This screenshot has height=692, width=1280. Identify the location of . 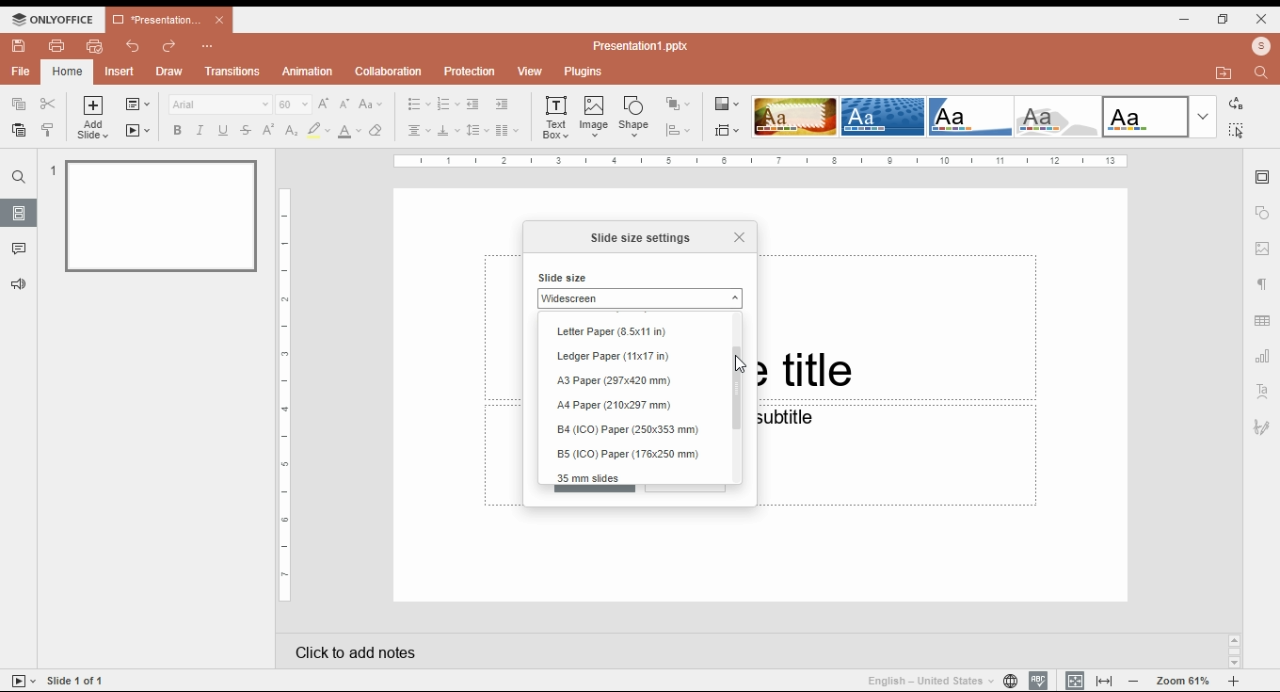
(1265, 428).